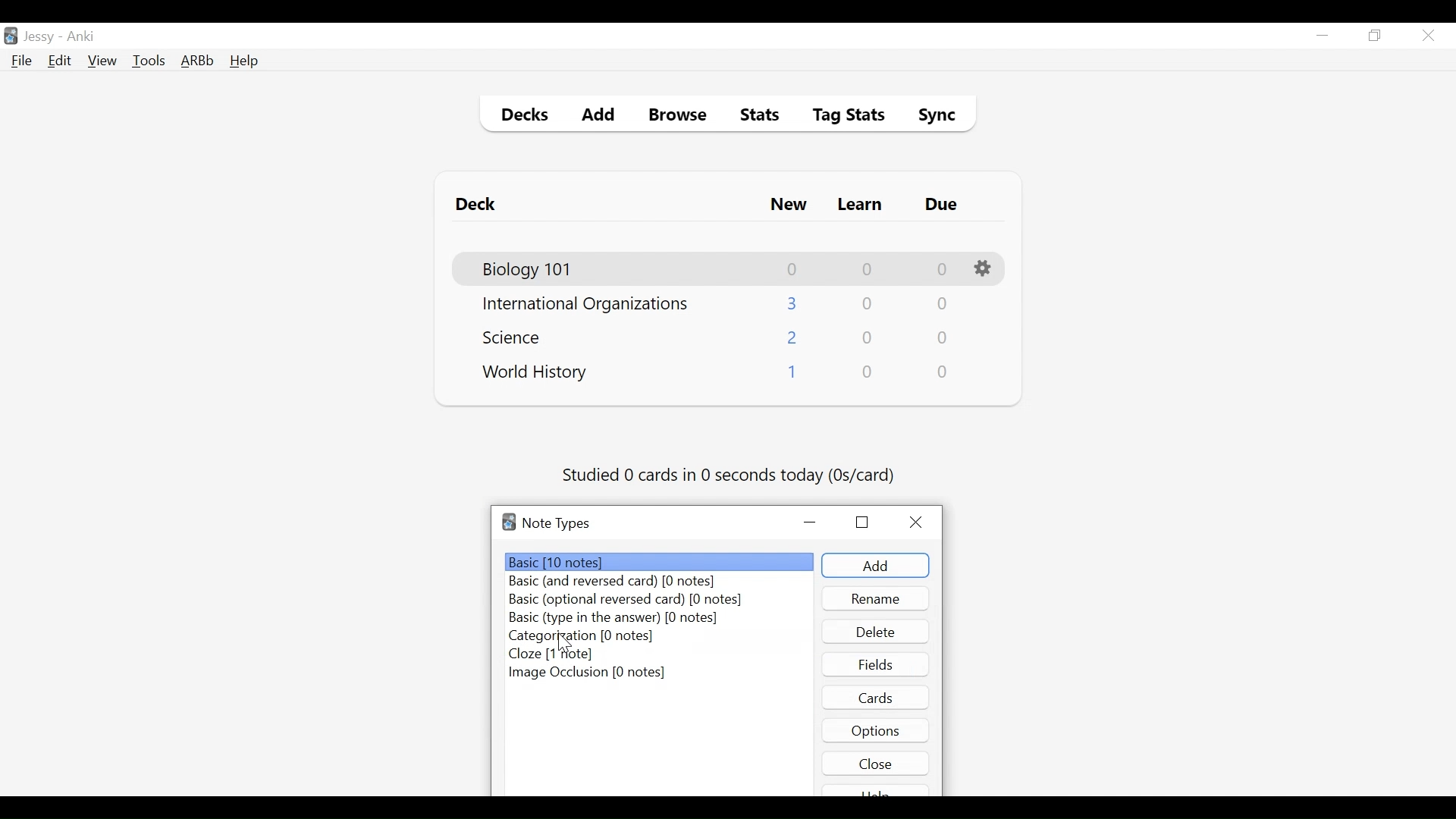 The image size is (1456, 819). I want to click on New Card Count, so click(793, 303).